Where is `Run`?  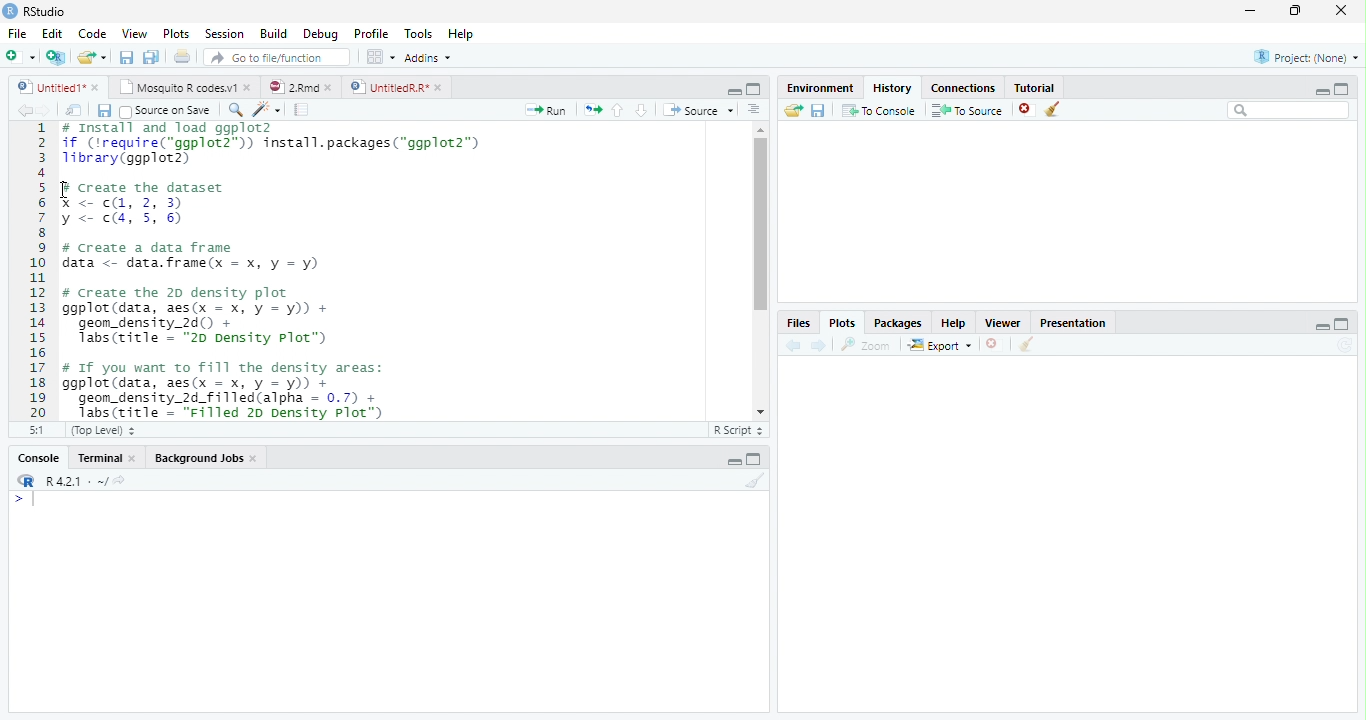 Run is located at coordinates (543, 111).